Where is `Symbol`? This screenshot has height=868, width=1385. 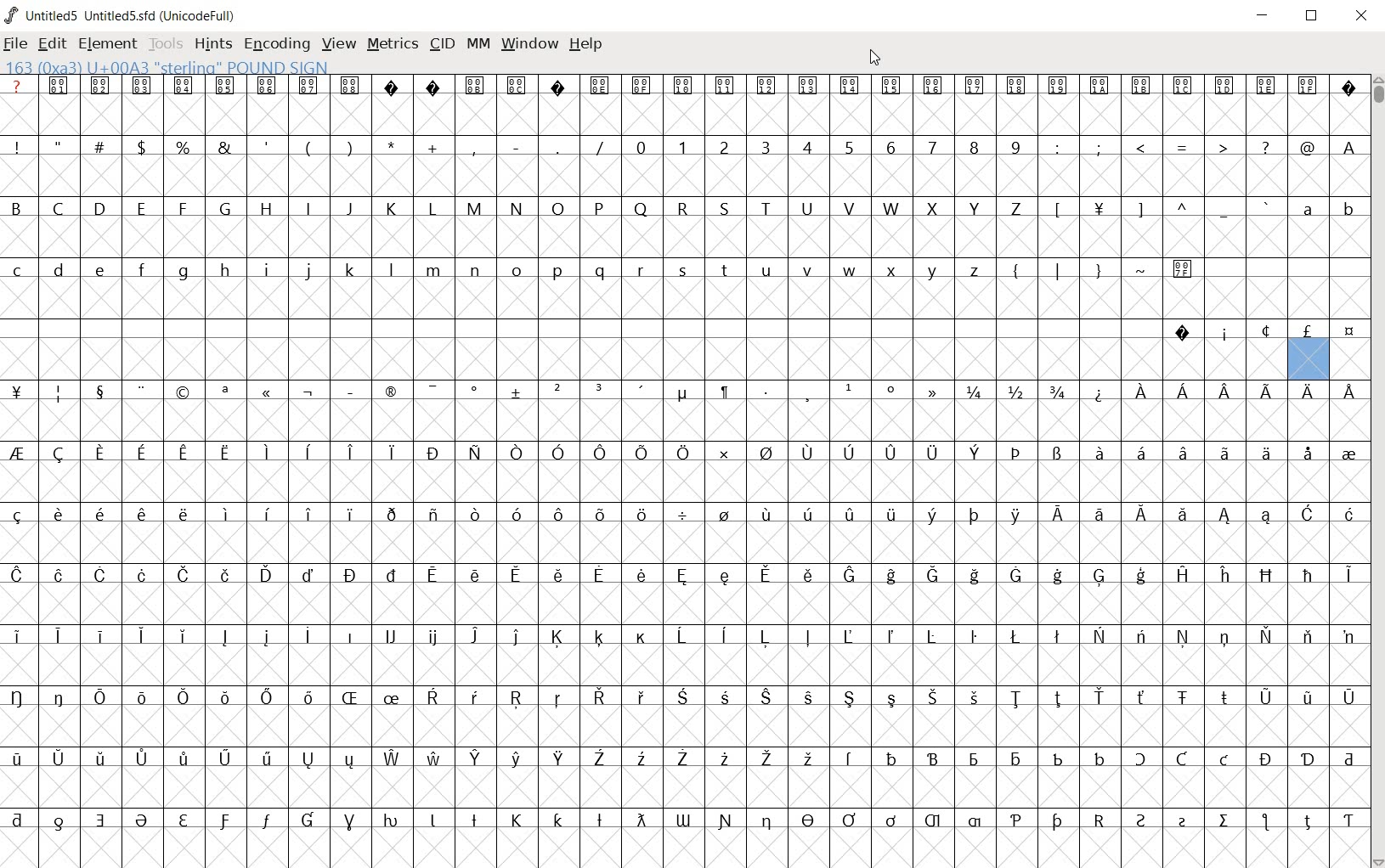
Symbol is located at coordinates (557, 392).